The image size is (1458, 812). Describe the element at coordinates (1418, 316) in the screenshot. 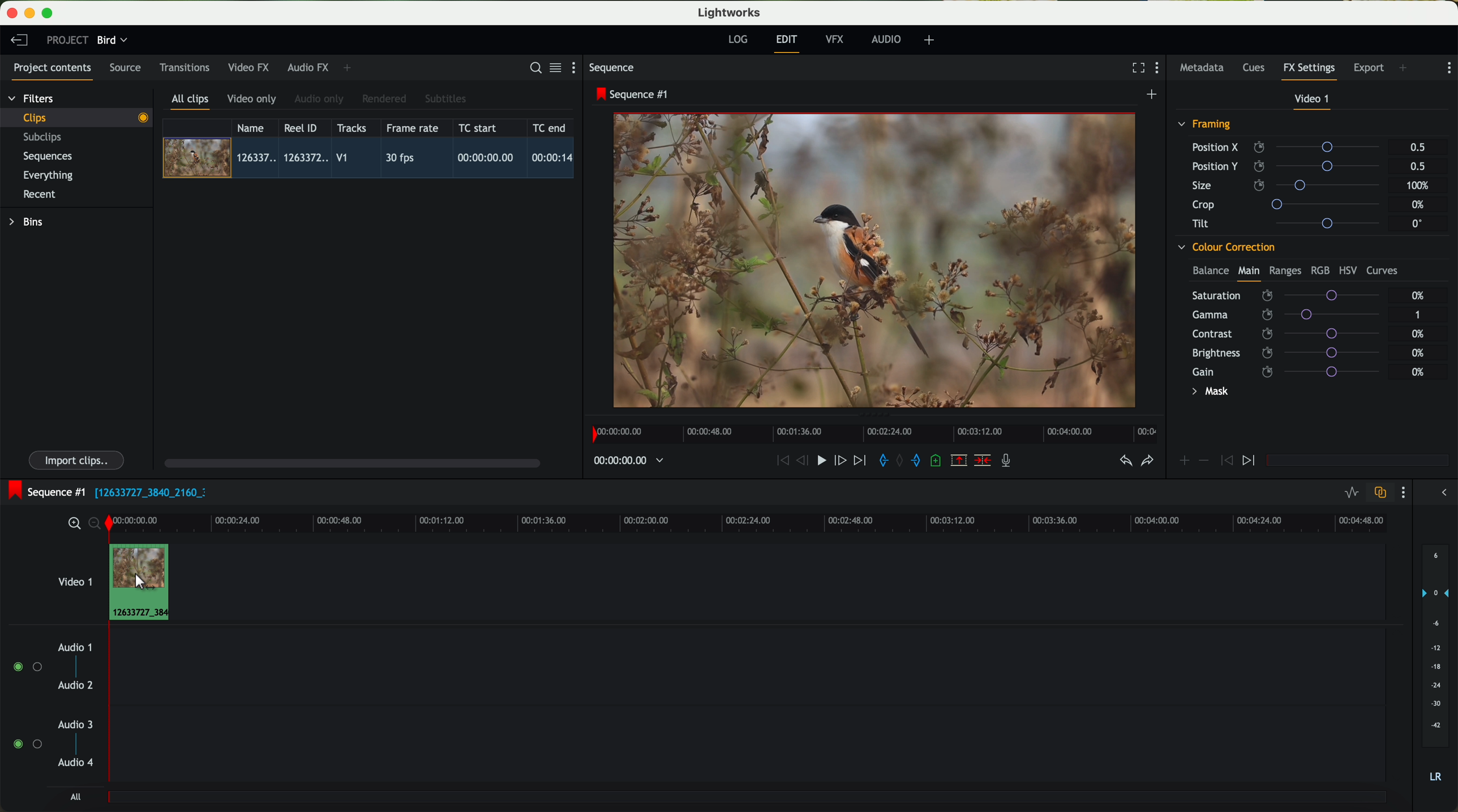

I see `1` at that location.